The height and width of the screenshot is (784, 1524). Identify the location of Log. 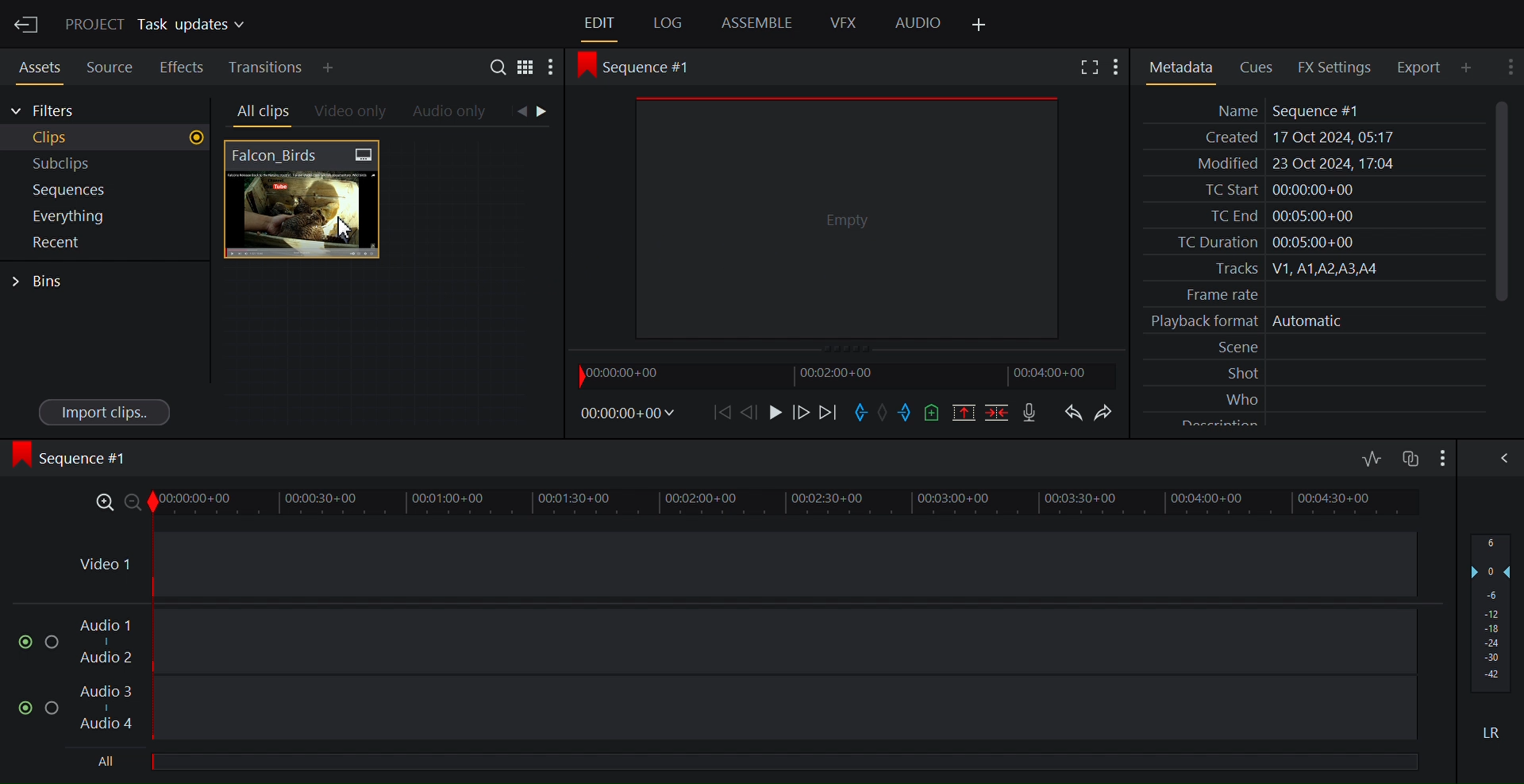
(668, 24).